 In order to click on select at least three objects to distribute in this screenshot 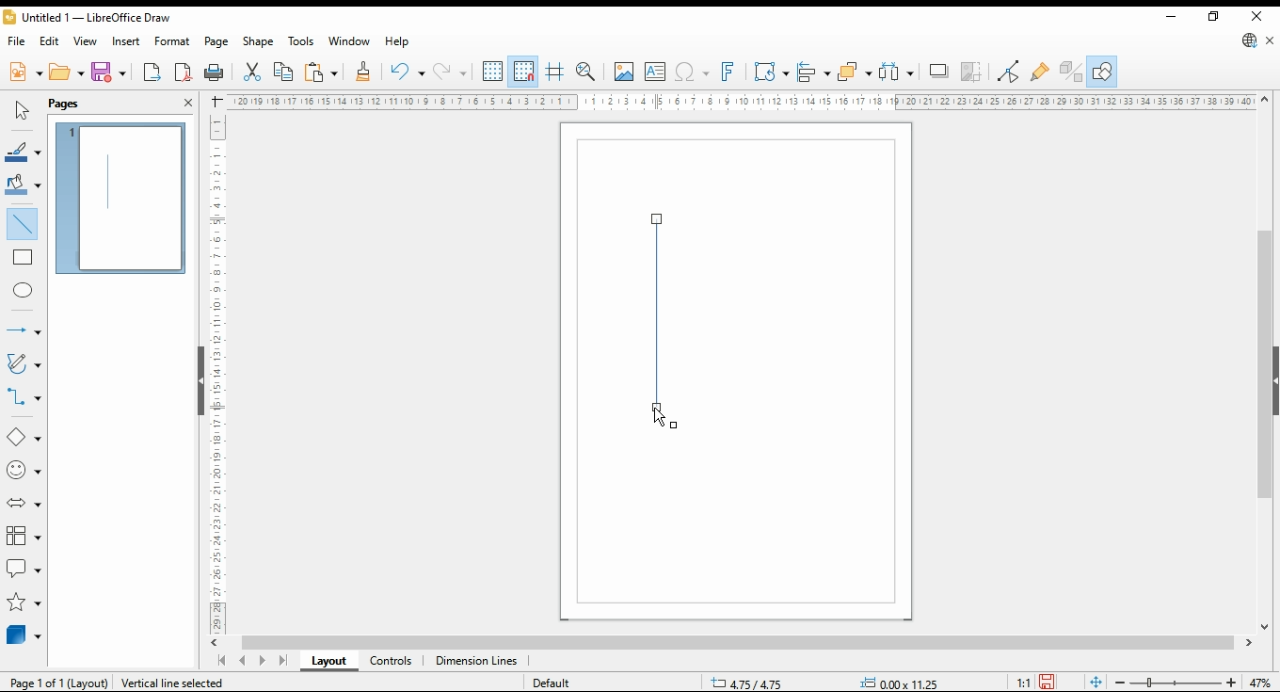, I will do `click(898, 72)`.